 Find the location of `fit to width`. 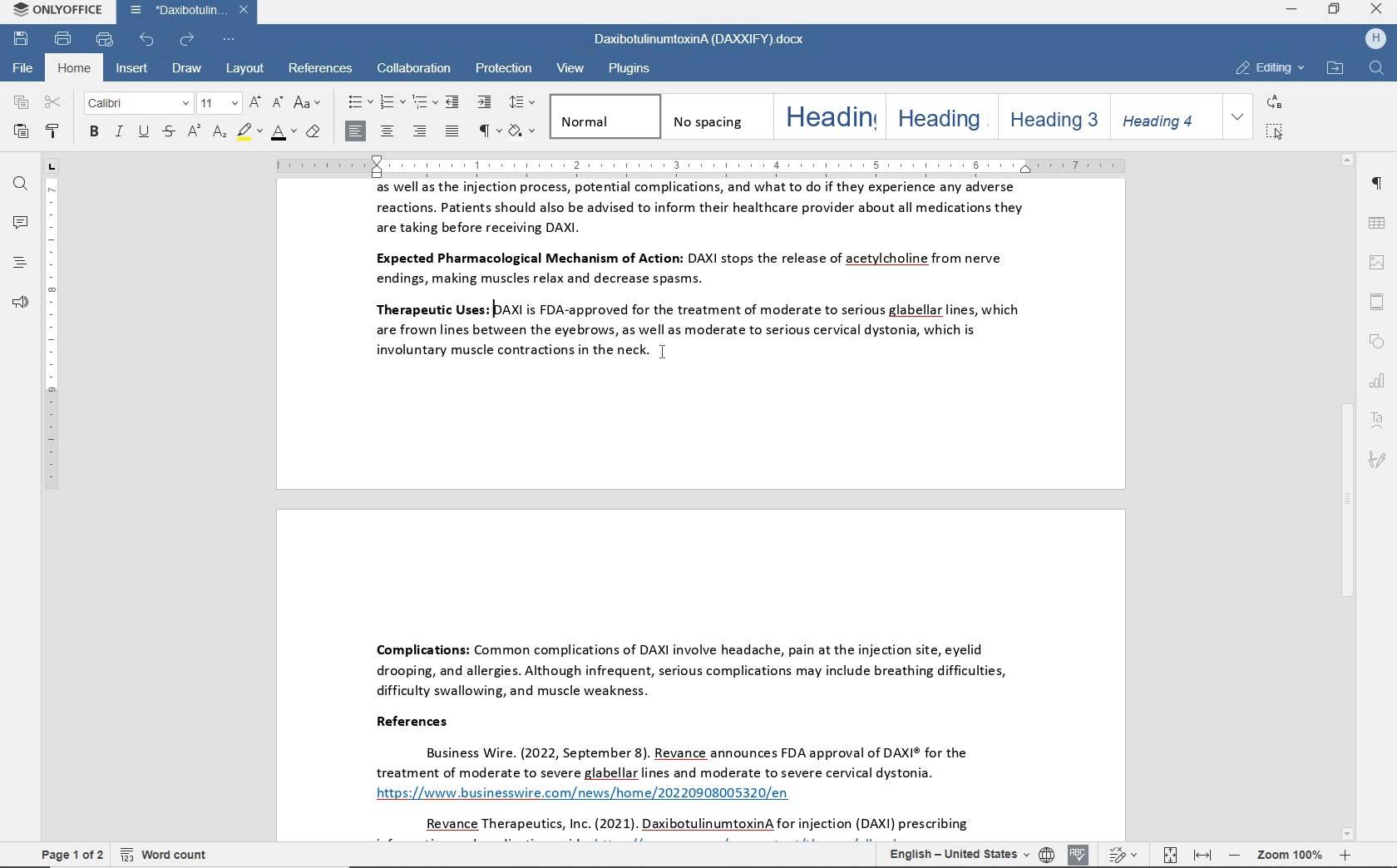

fit to width is located at coordinates (1201, 856).